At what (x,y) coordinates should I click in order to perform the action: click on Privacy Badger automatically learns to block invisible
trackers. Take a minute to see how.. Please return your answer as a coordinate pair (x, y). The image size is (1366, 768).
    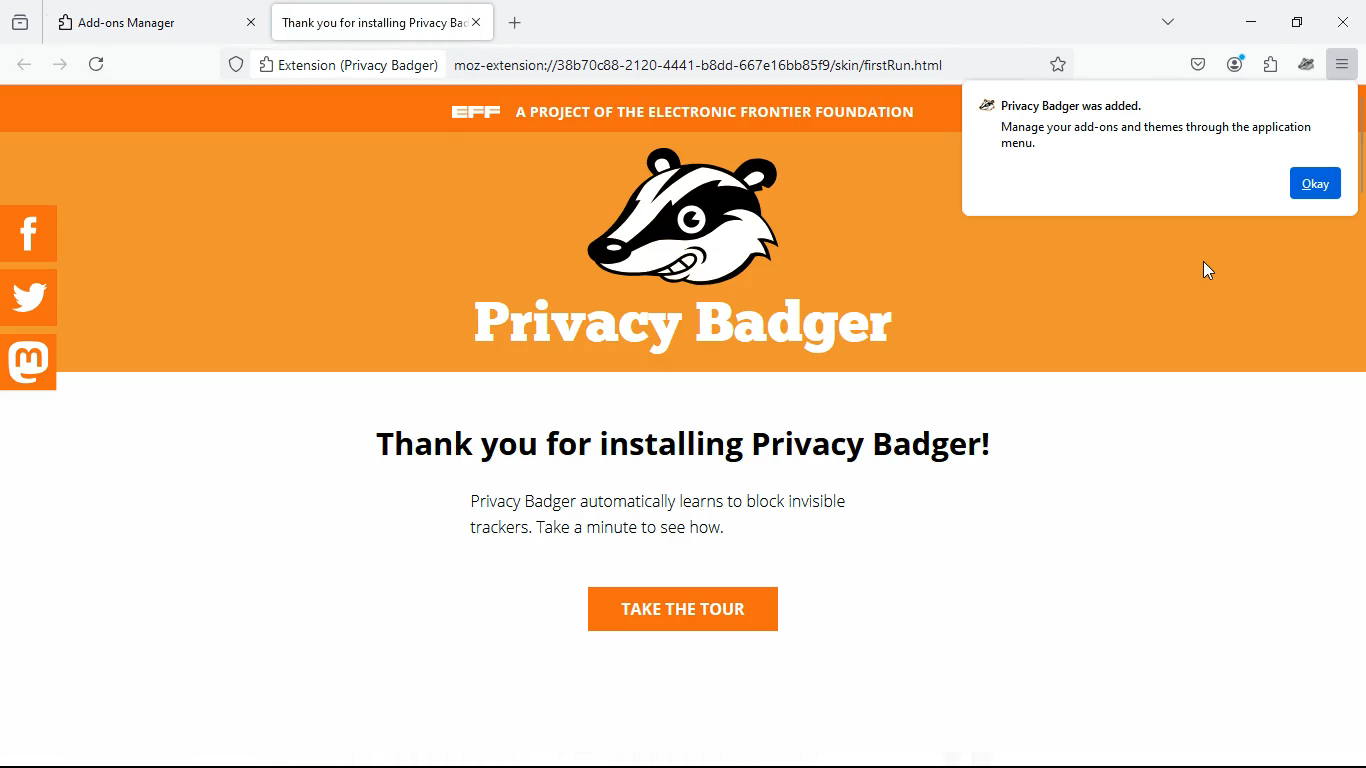
    Looking at the image, I should click on (660, 516).